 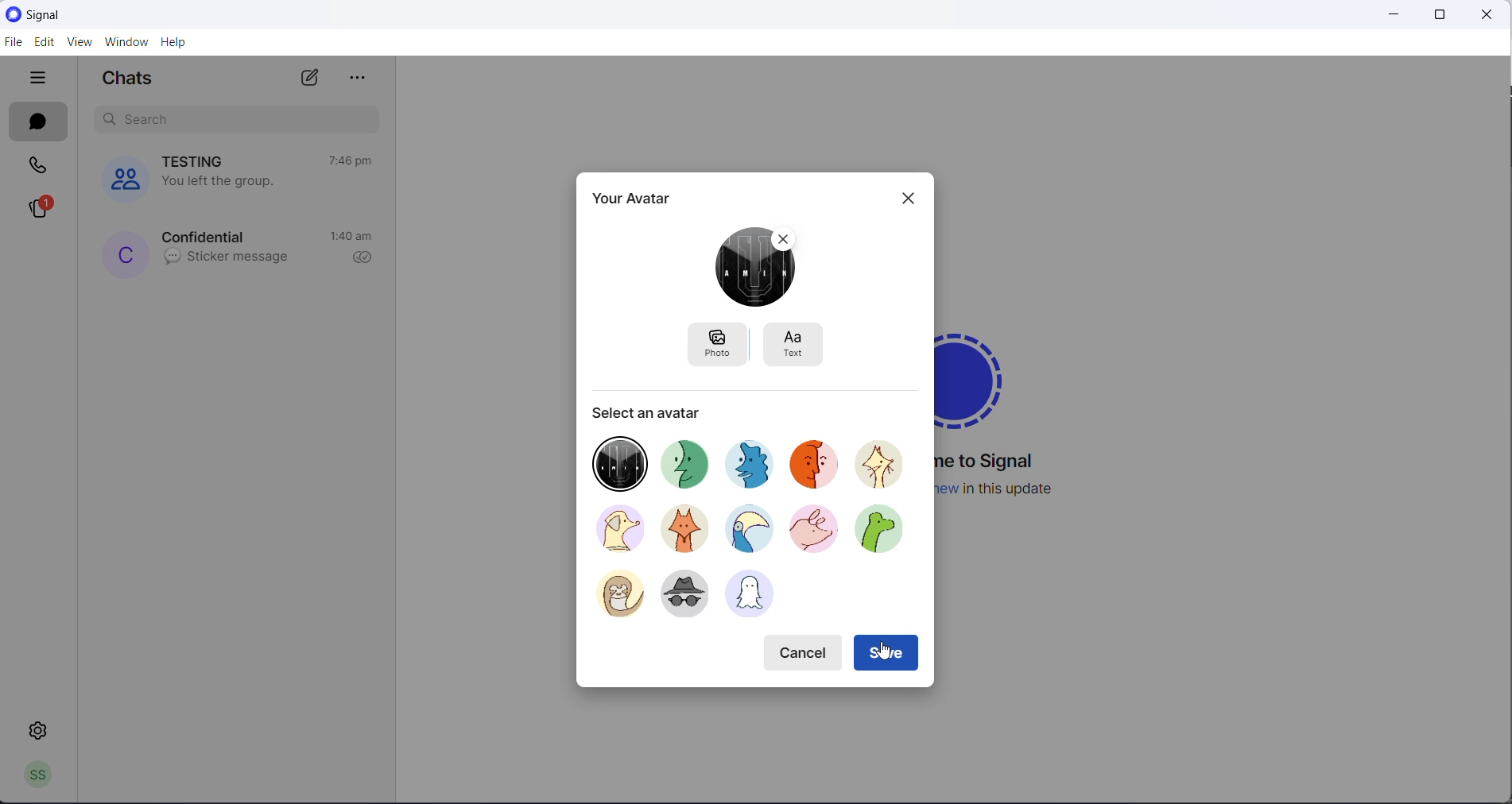 I want to click on group cover picture, so click(x=122, y=180).